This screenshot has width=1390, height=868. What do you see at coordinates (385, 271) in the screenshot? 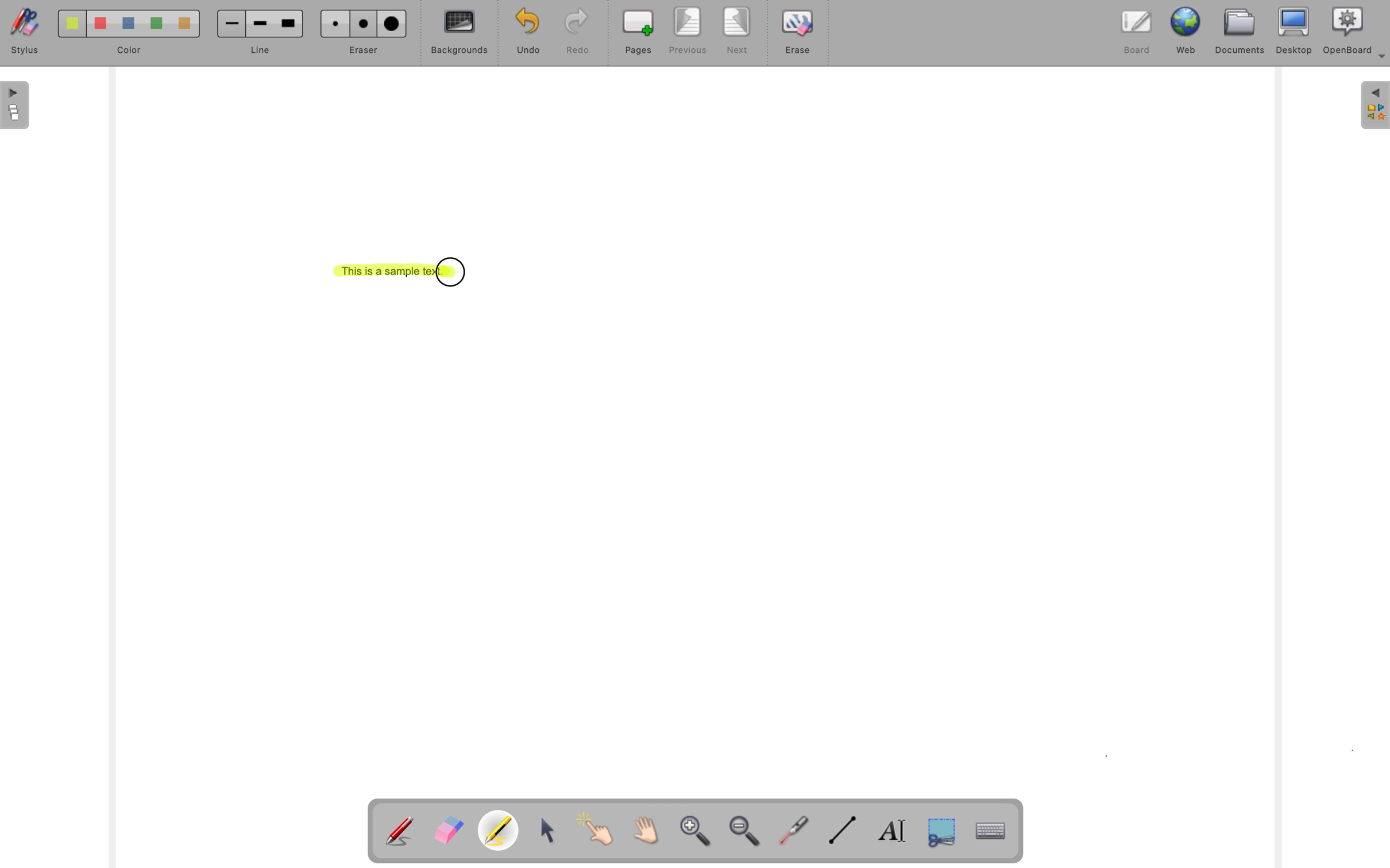
I see `This is a sample text` at bounding box center [385, 271].